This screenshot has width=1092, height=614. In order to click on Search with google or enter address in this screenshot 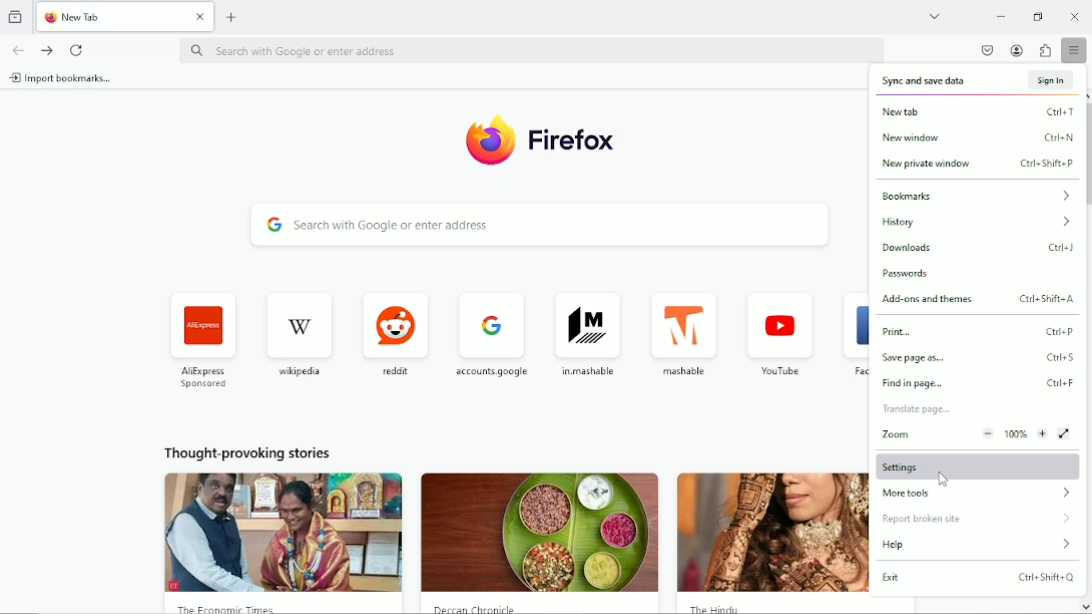, I will do `click(532, 50)`.